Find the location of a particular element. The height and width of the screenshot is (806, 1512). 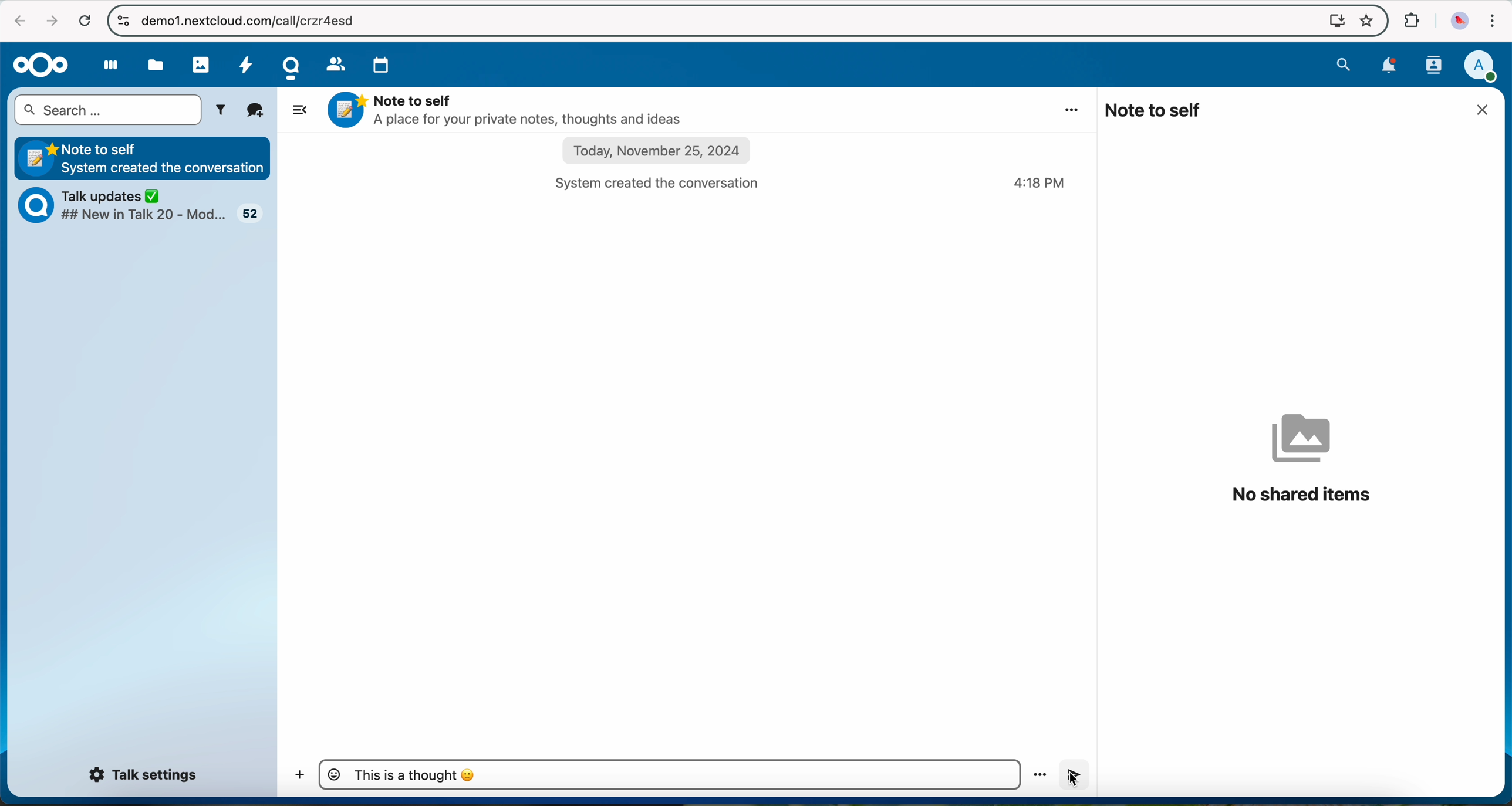

hide side bar is located at coordinates (298, 109).